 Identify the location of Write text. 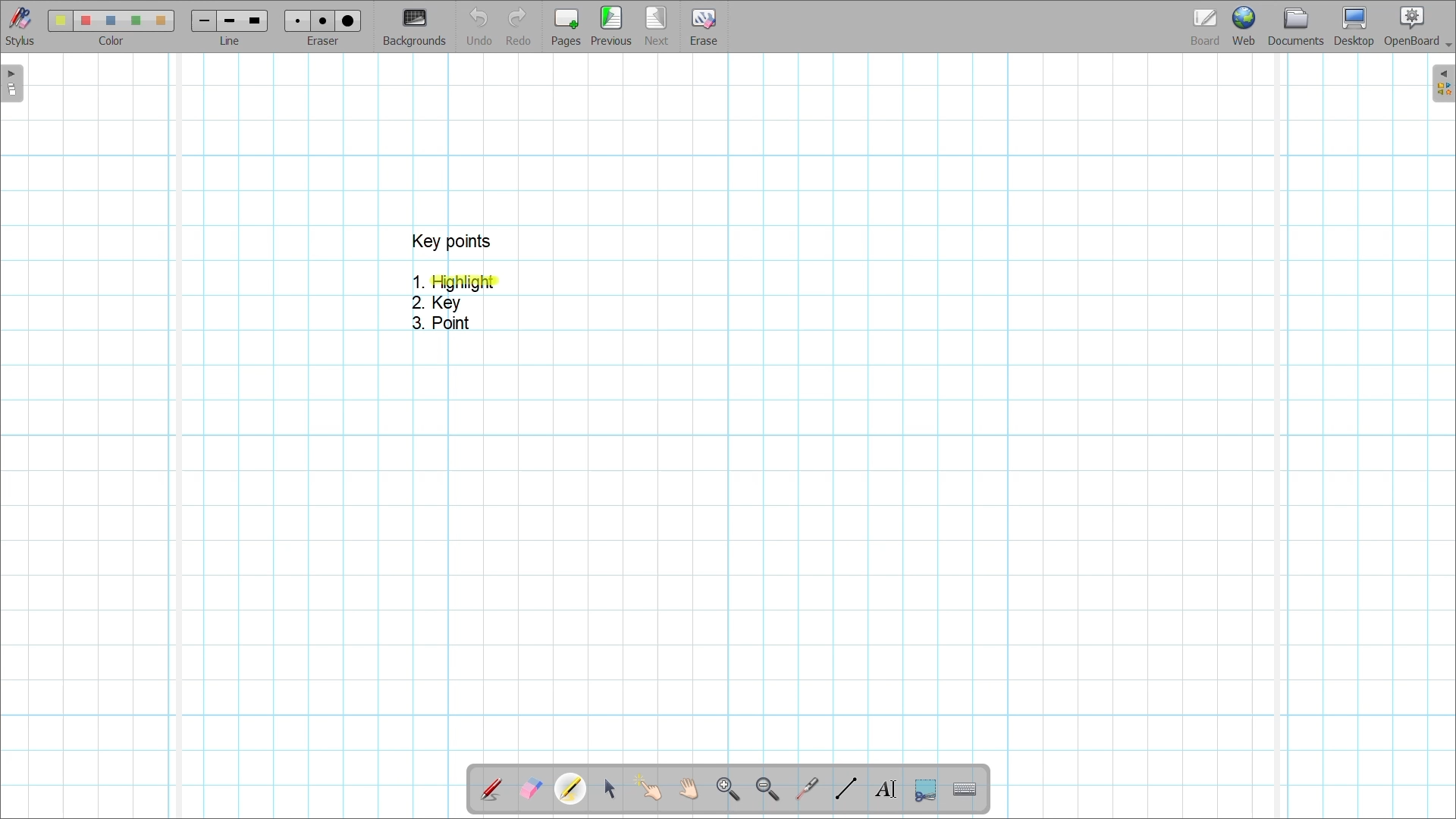
(885, 789).